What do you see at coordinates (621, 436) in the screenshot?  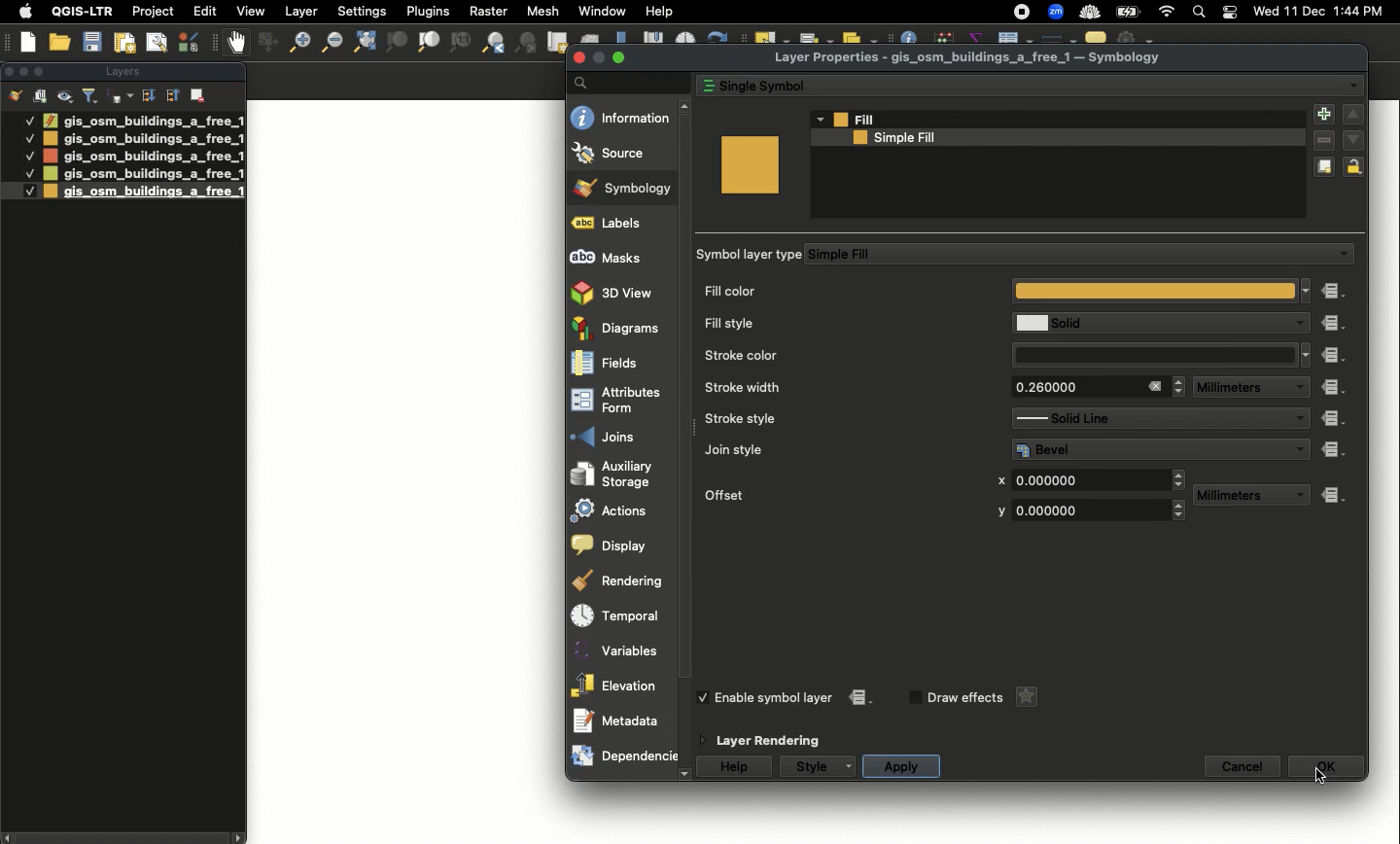 I see `Joins` at bounding box center [621, 436].